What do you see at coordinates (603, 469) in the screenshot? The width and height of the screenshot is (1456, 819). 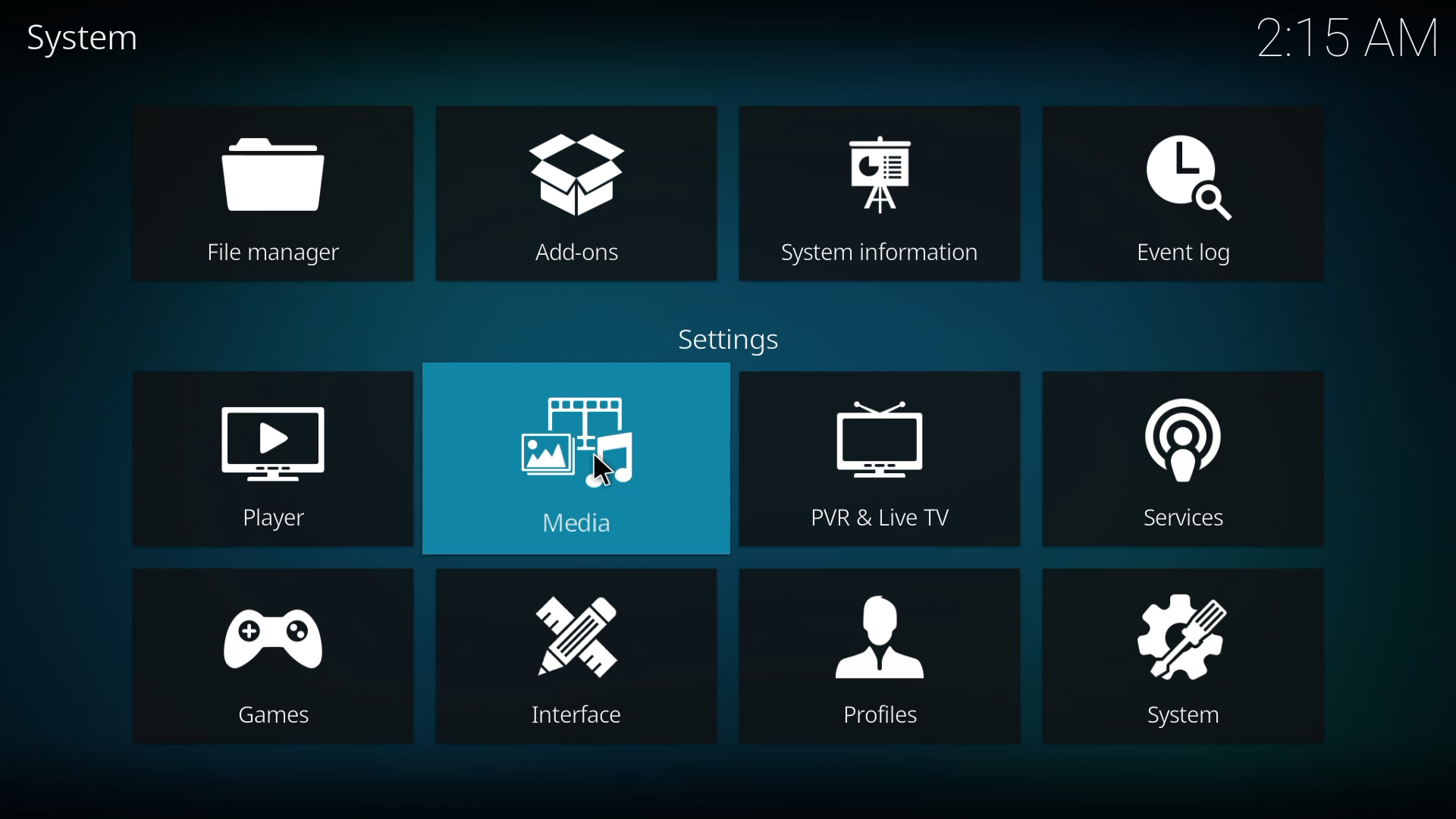 I see `cursor` at bounding box center [603, 469].